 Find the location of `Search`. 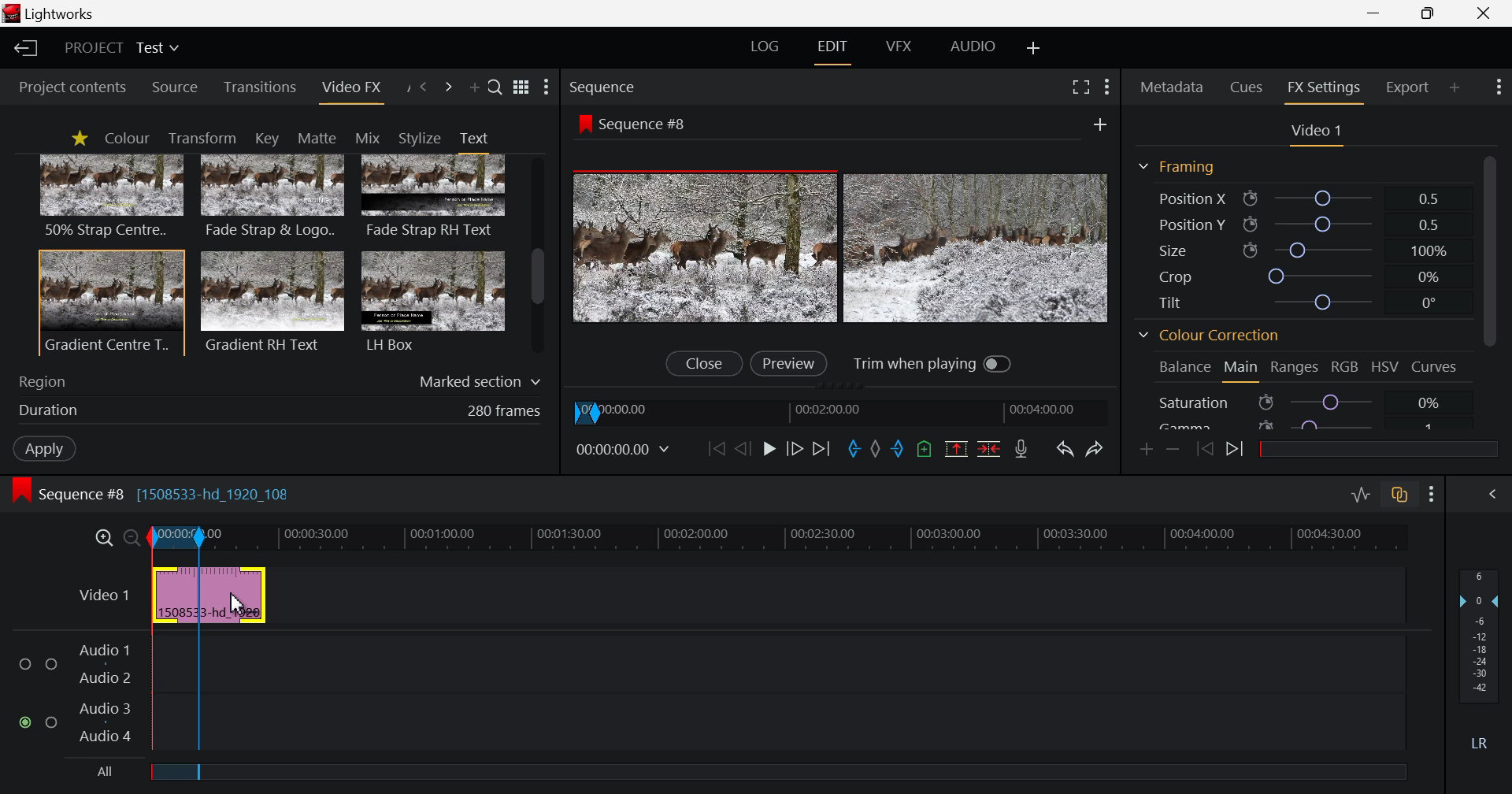

Search is located at coordinates (495, 89).